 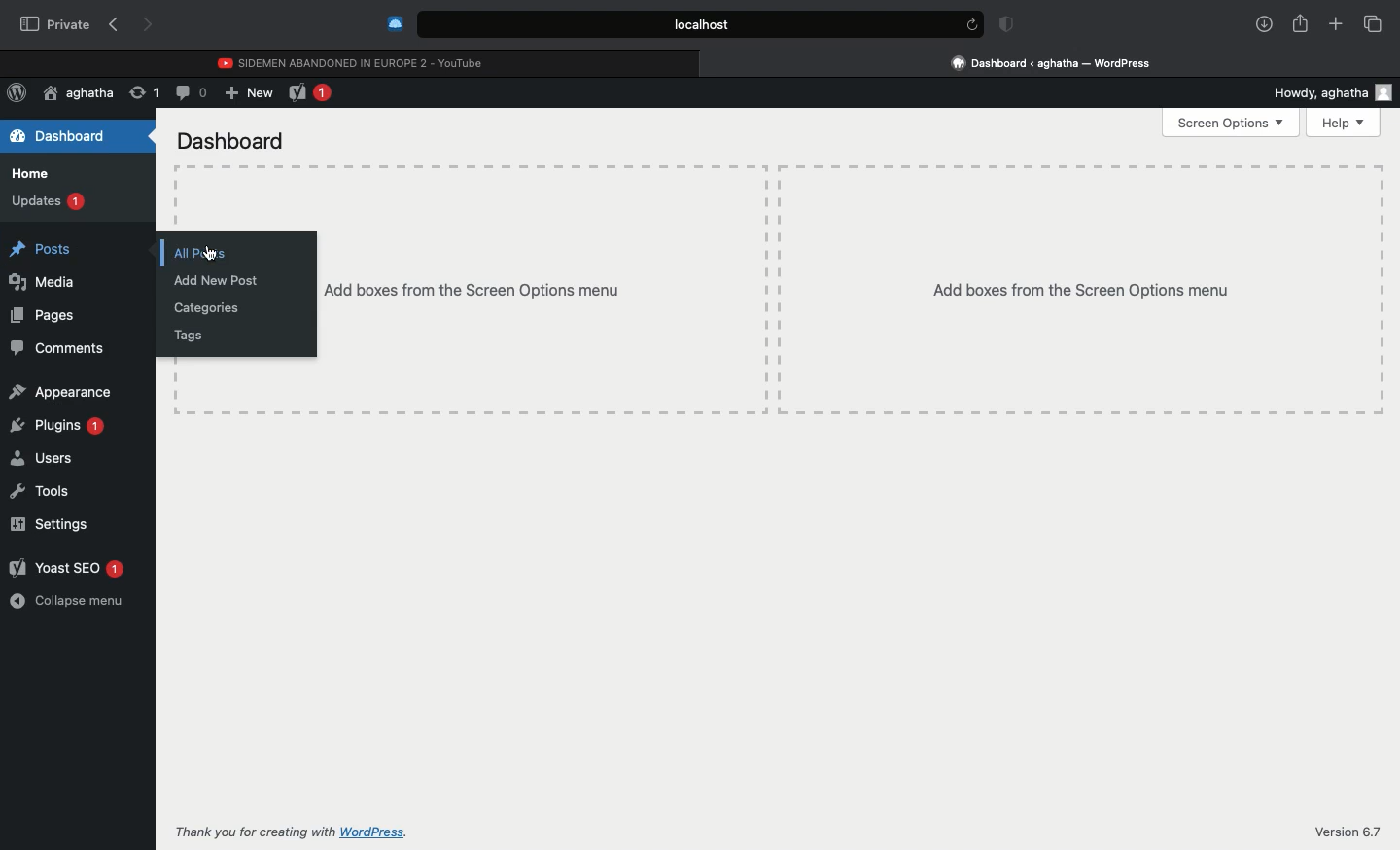 What do you see at coordinates (970, 24) in the screenshot?
I see `refresh` at bounding box center [970, 24].